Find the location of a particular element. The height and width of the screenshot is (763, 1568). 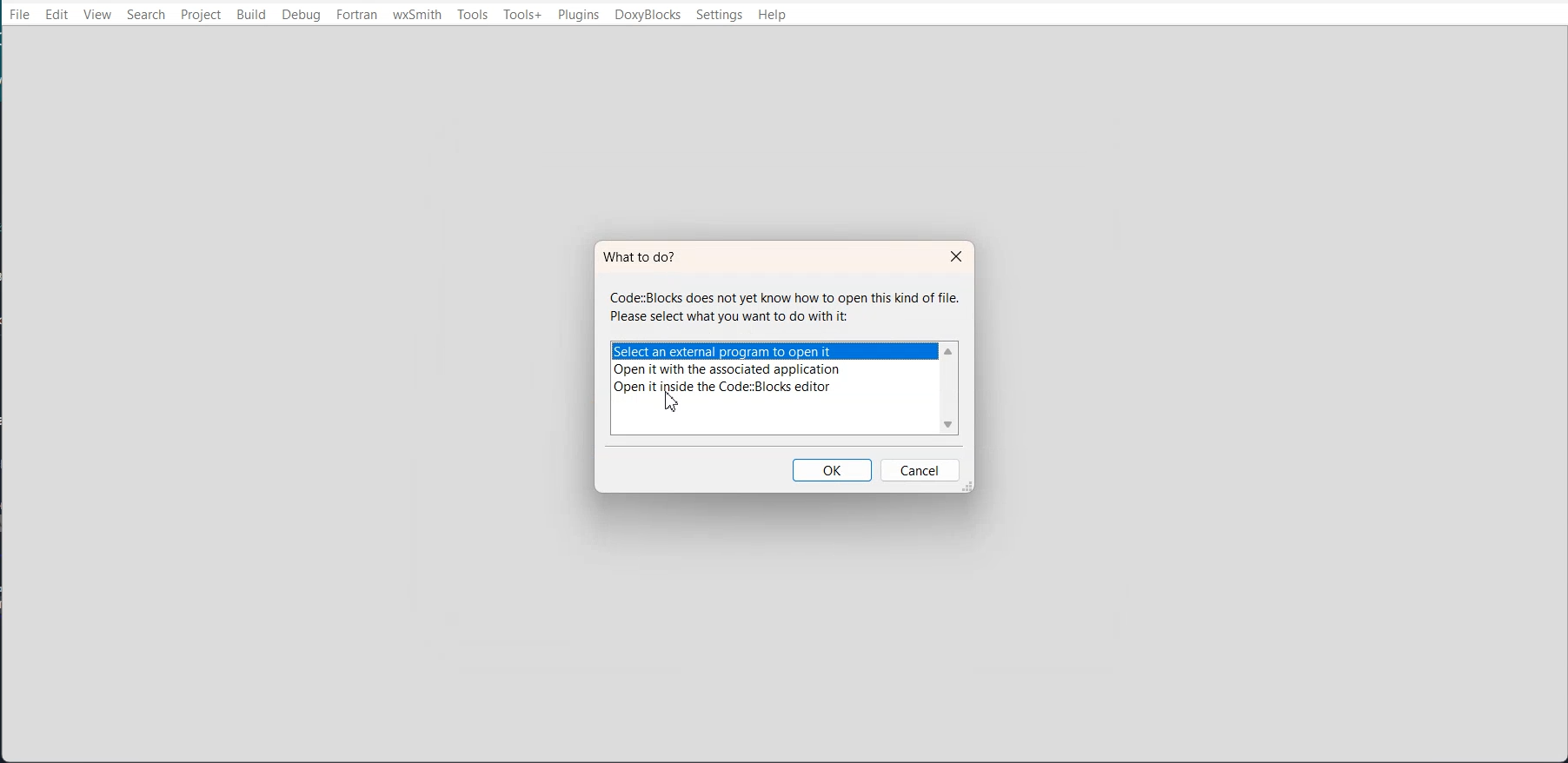

Debug is located at coordinates (301, 15).